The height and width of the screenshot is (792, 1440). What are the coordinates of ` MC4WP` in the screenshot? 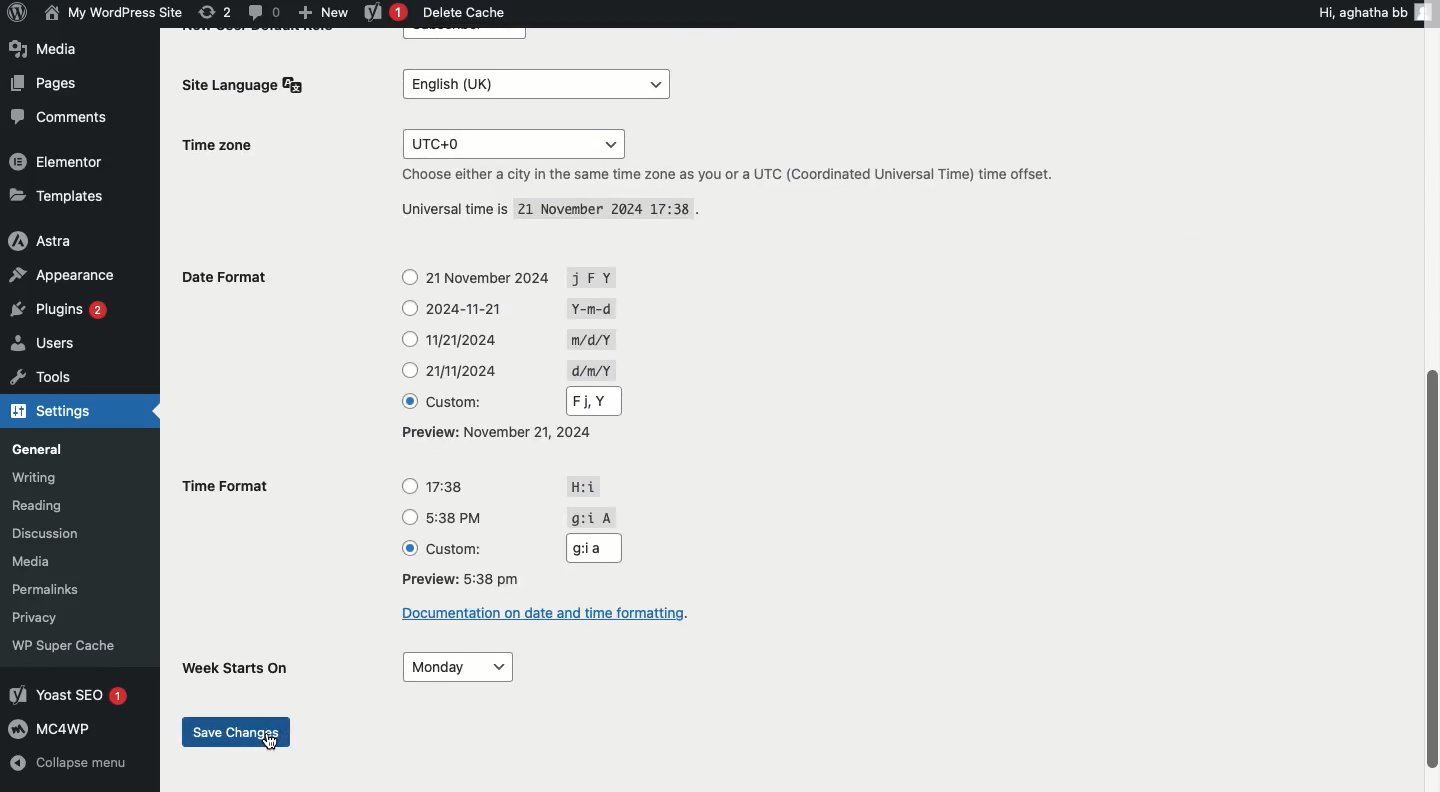 It's located at (70, 727).